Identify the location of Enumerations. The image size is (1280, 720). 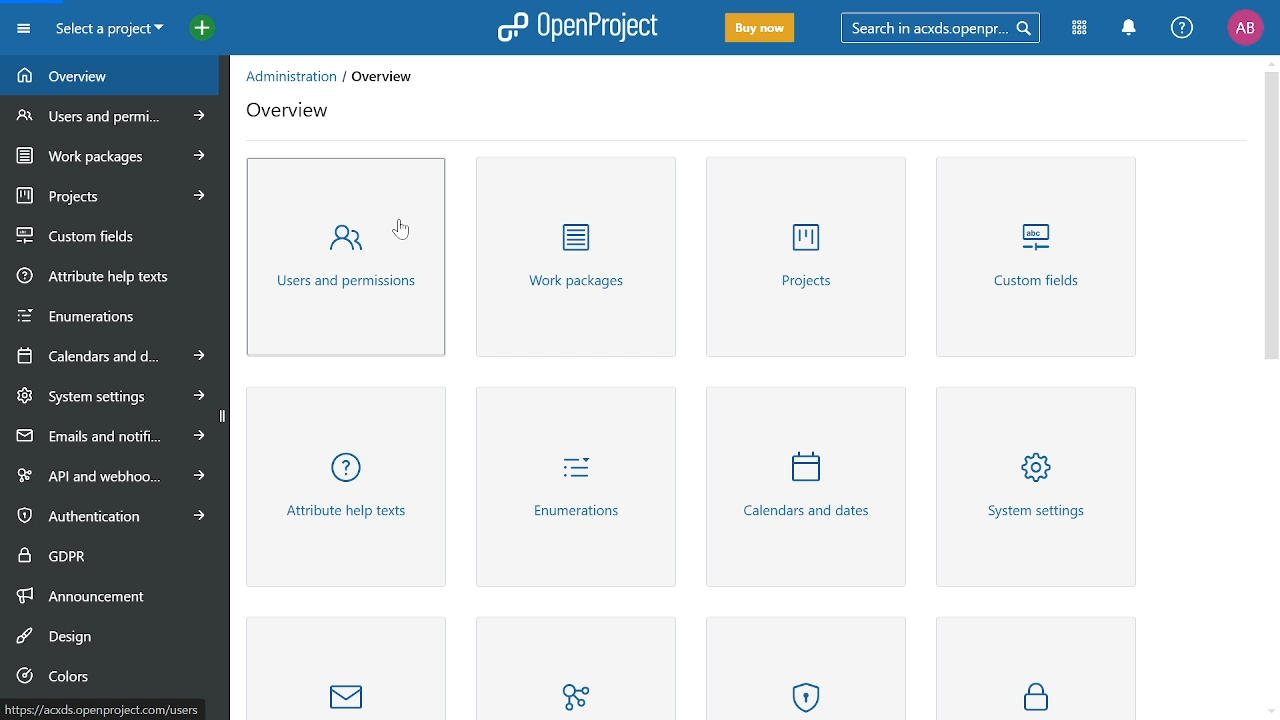
(91, 316).